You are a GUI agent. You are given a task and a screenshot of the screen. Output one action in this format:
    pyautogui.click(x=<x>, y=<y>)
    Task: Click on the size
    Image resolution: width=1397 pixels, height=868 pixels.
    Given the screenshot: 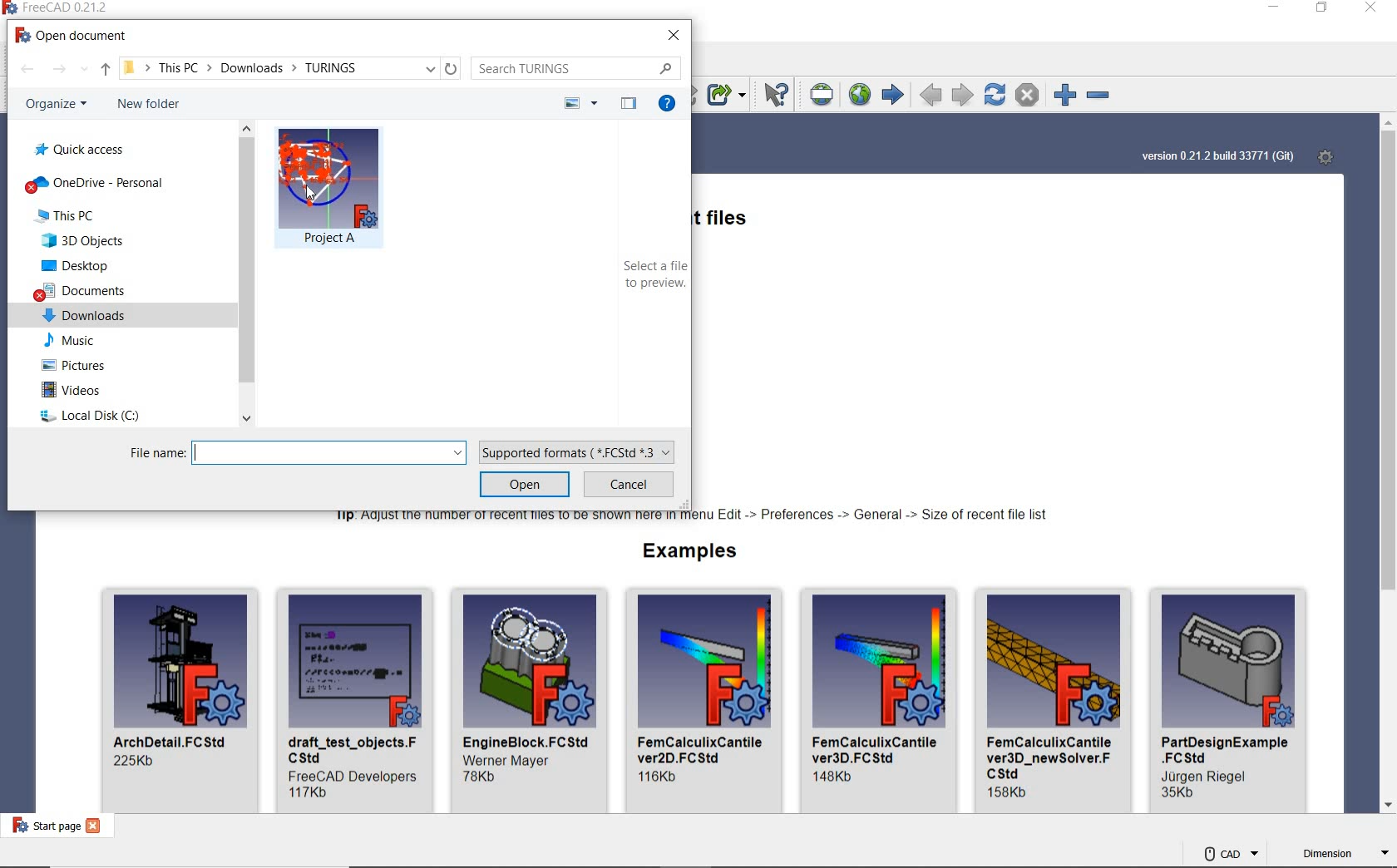 What is the action you would take?
    pyautogui.click(x=136, y=762)
    